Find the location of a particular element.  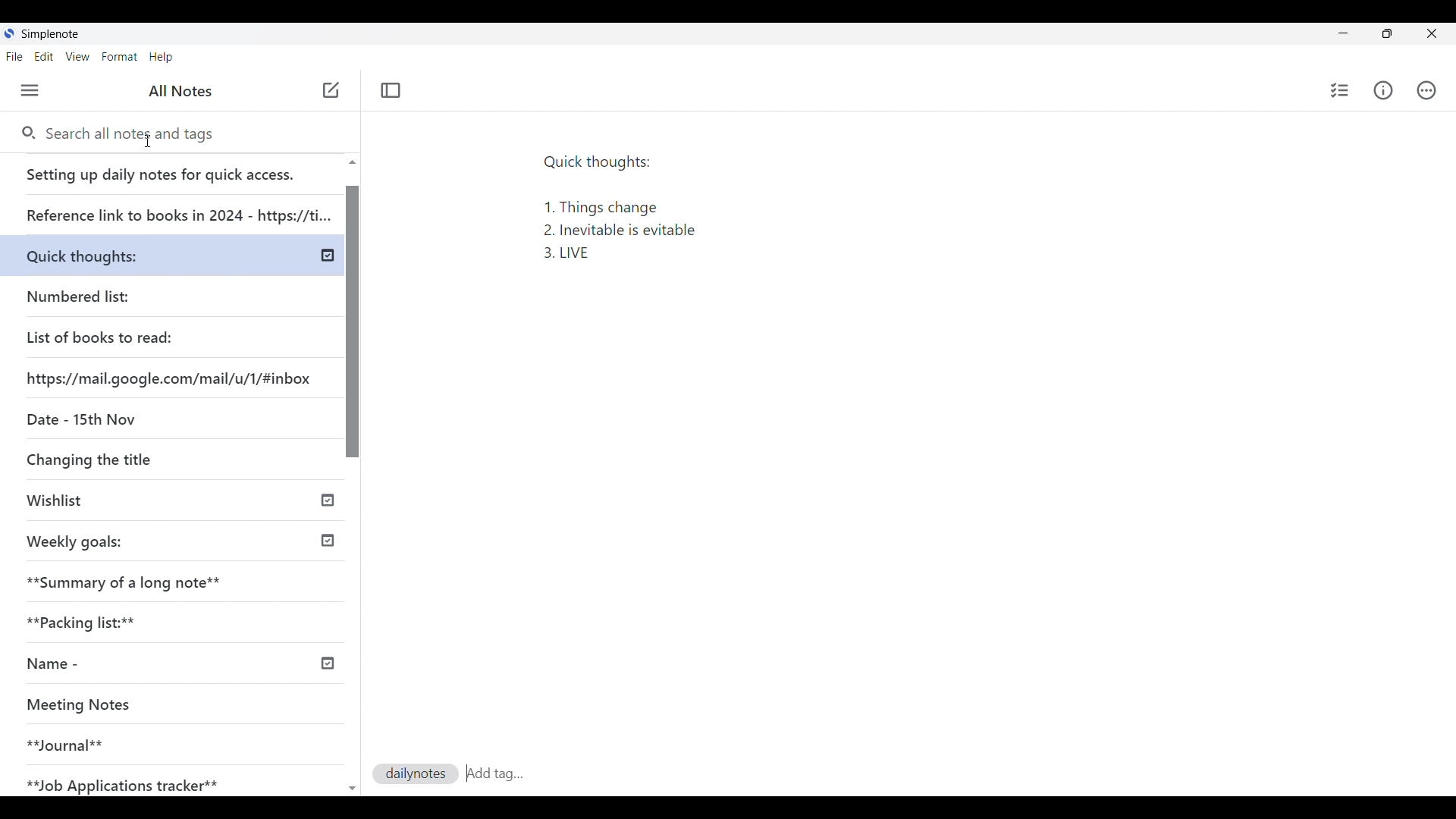

Reference link to books in 2024 - https://ti... is located at coordinates (177, 209).